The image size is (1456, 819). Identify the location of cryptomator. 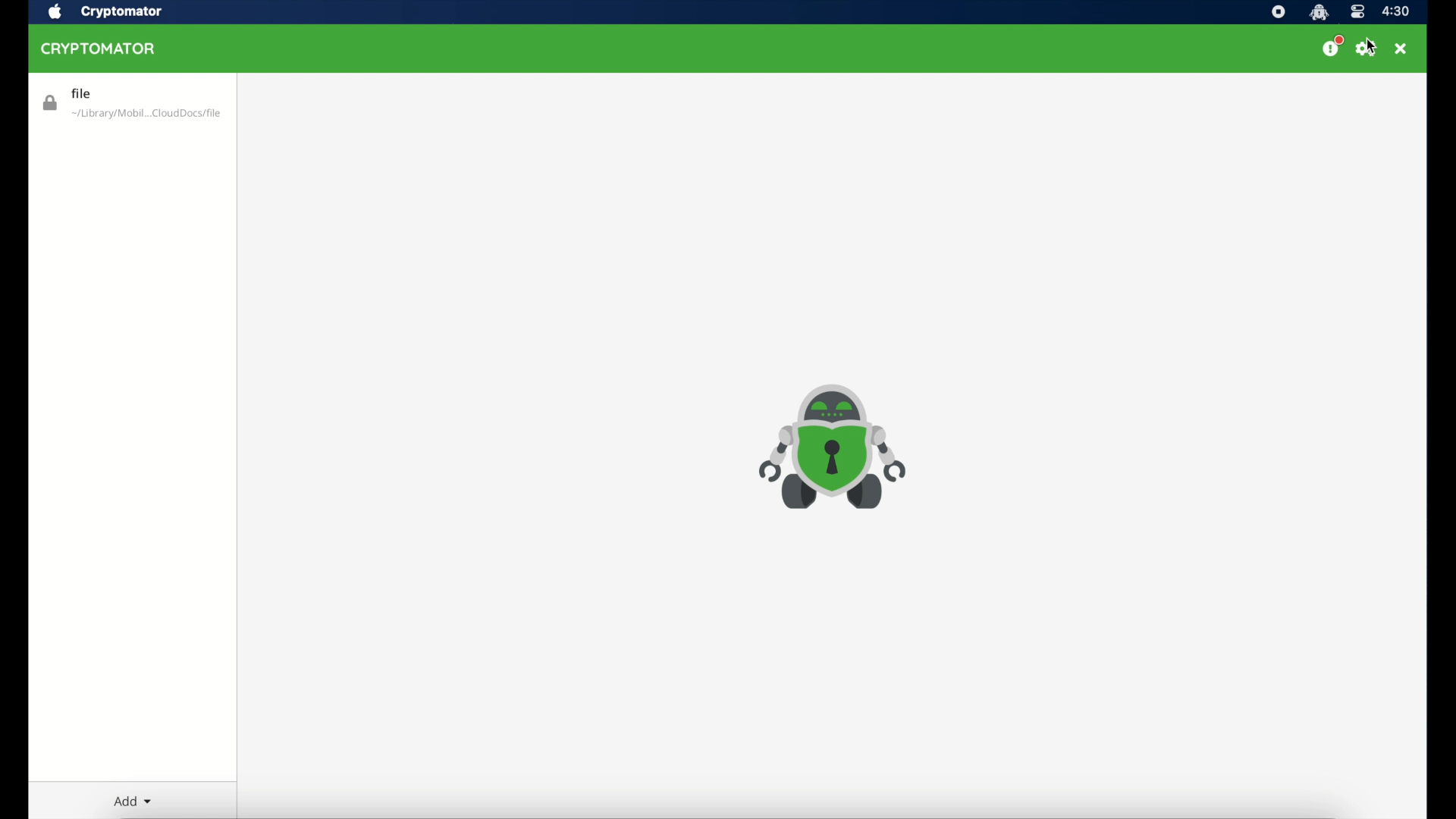
(100, 49).